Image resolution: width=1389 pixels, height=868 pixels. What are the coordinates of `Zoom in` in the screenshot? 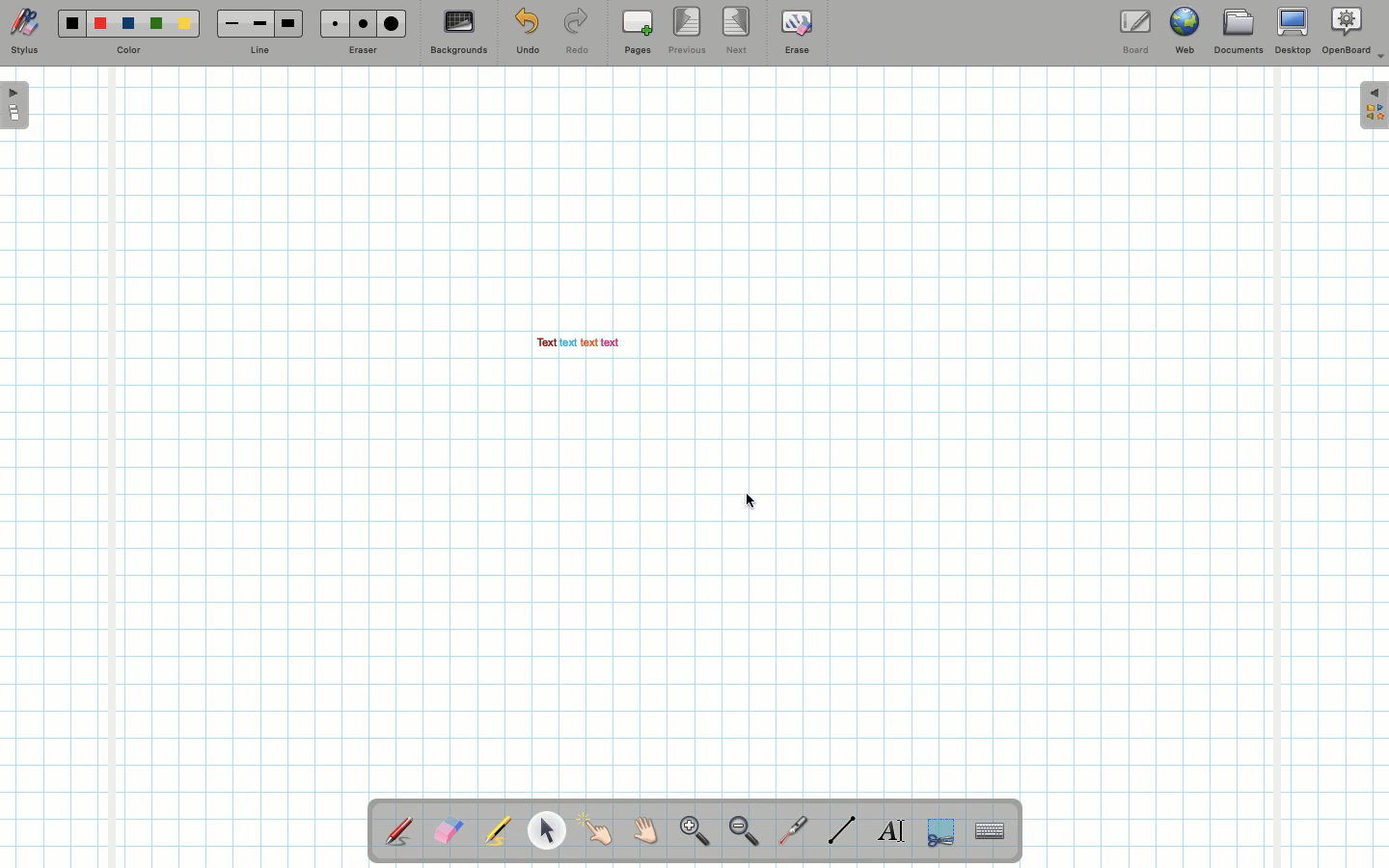 It's located at (690, 833).